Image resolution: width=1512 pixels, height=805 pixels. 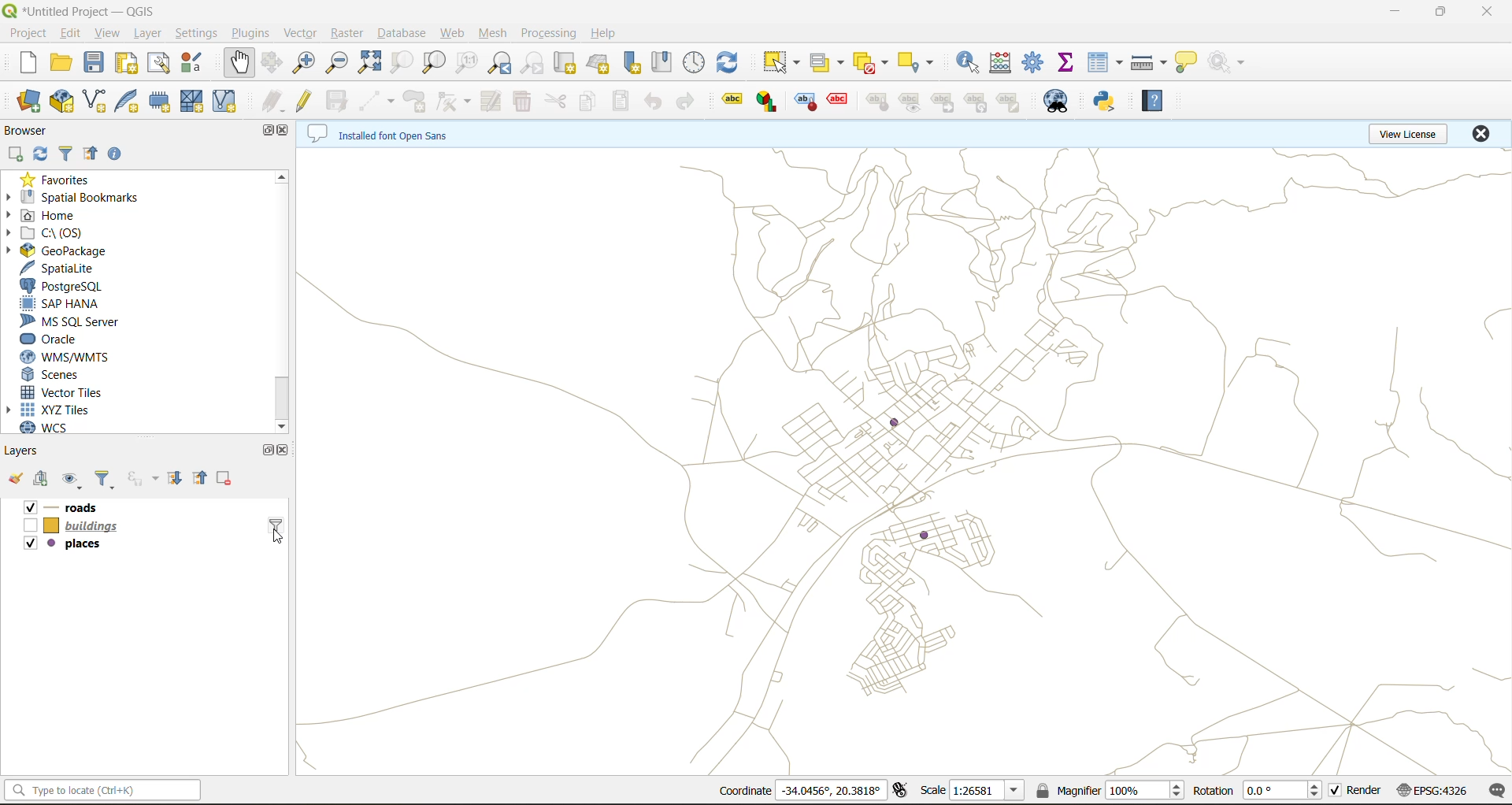 I want to click on refresh, so click(x=43, y=150).